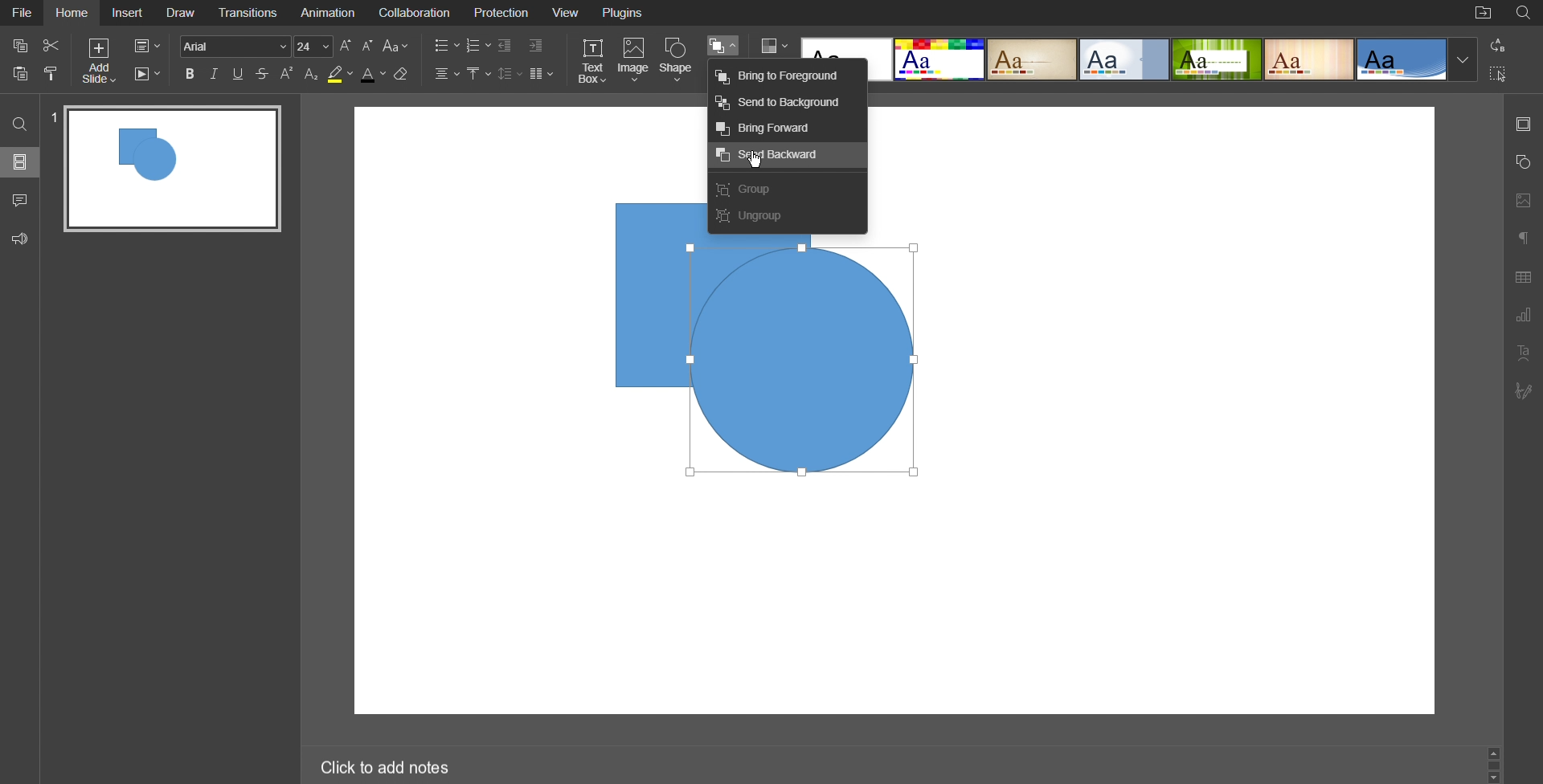  Describe the element at coordinates (287, 75) in the screenshot. I see `Superscript` at that location.